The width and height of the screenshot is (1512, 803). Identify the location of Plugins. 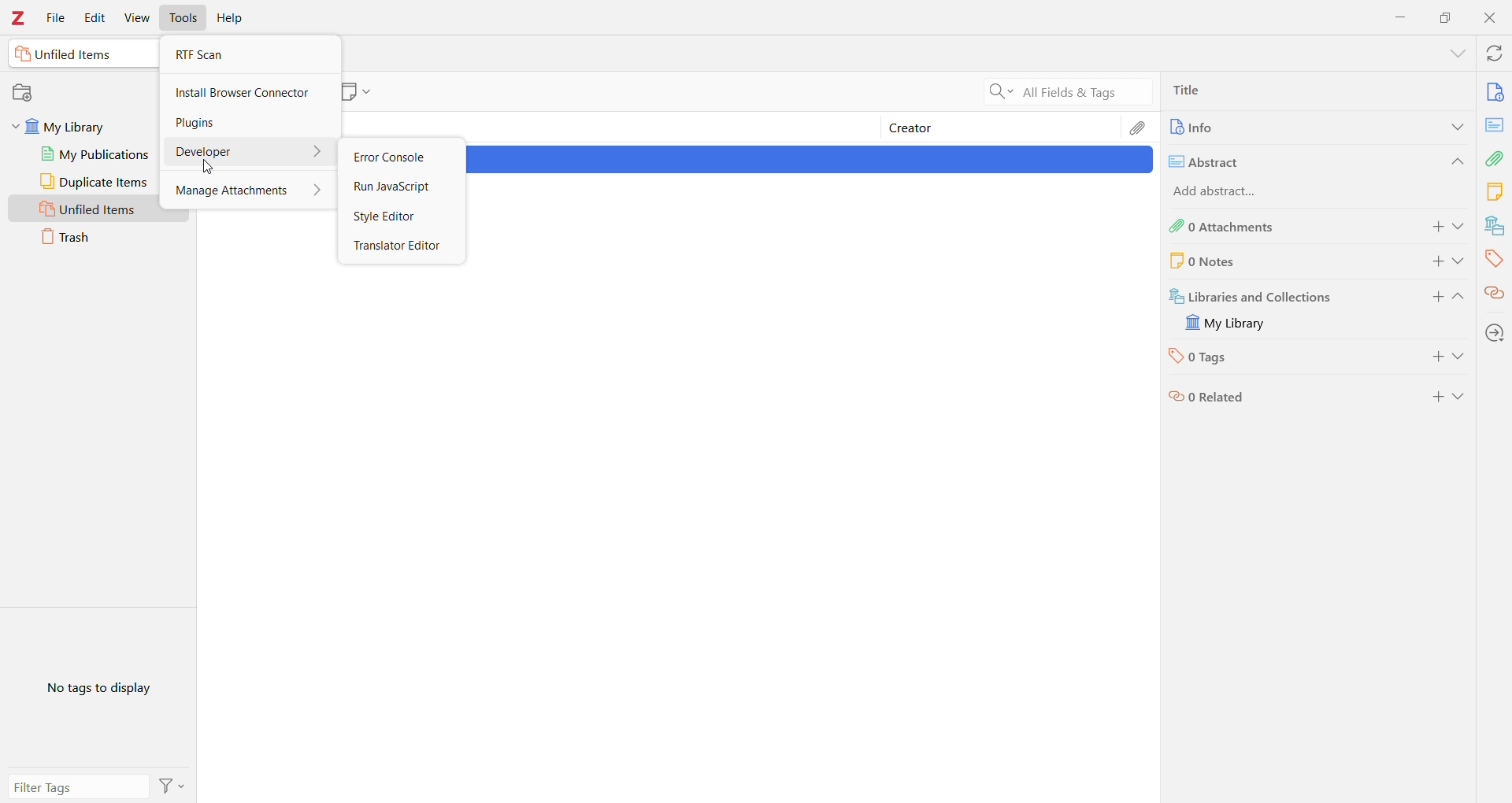
(248, 123).